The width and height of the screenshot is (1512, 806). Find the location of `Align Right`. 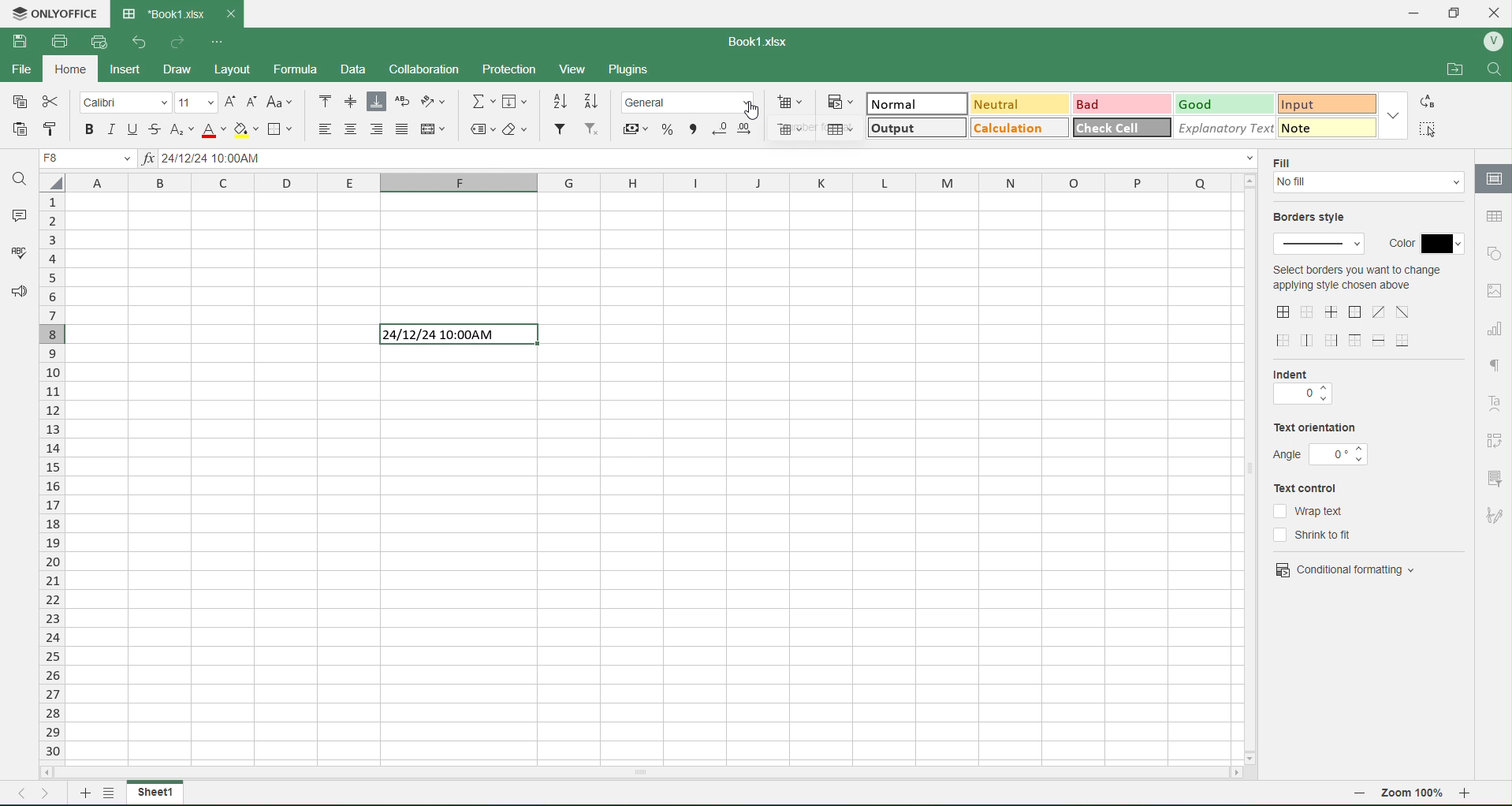

Align Right is located at coordinates (378, 129).